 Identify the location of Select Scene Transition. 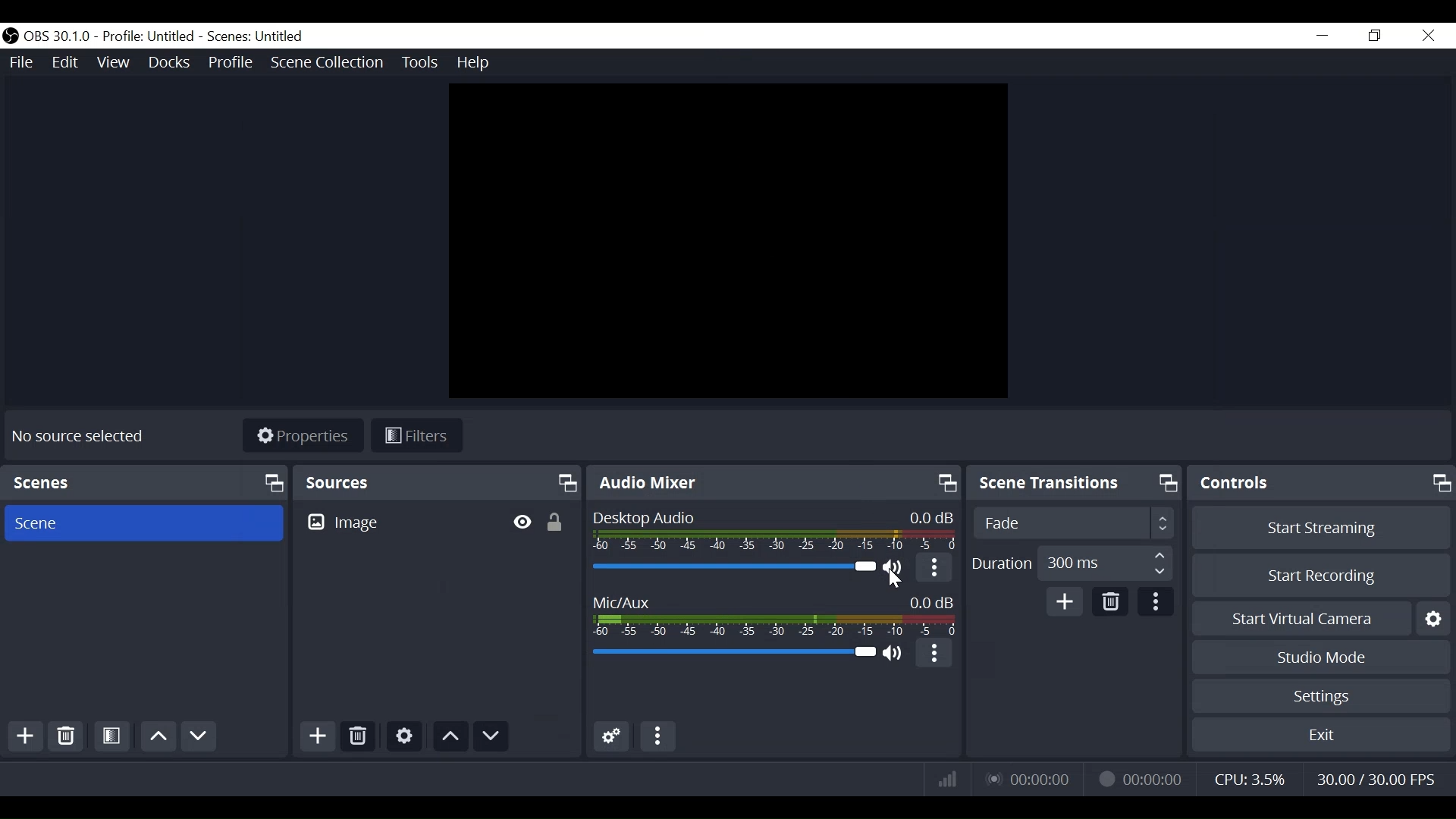
(1072, 523).